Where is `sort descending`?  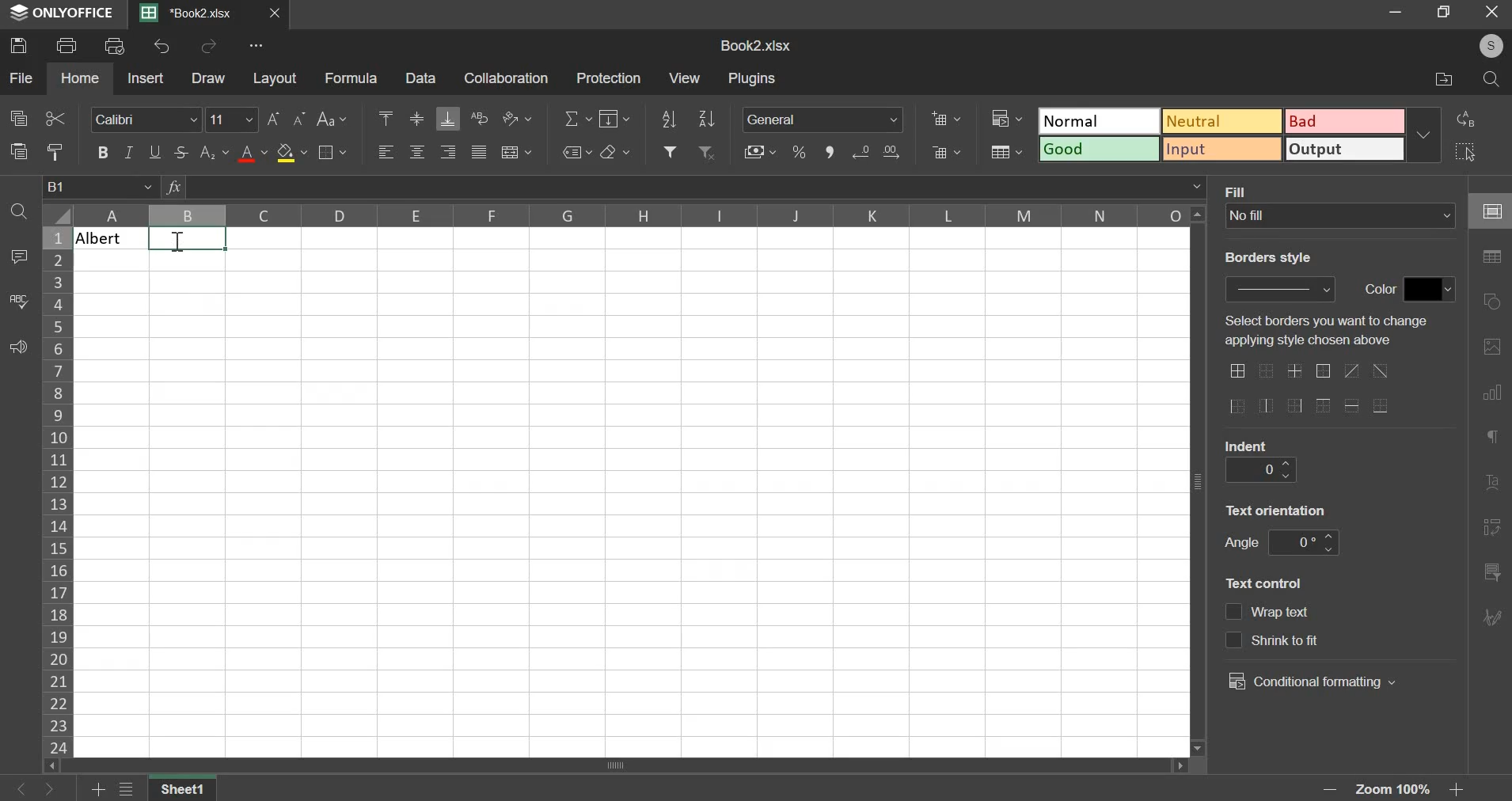 sort descending is located at coordinates (706, 119).